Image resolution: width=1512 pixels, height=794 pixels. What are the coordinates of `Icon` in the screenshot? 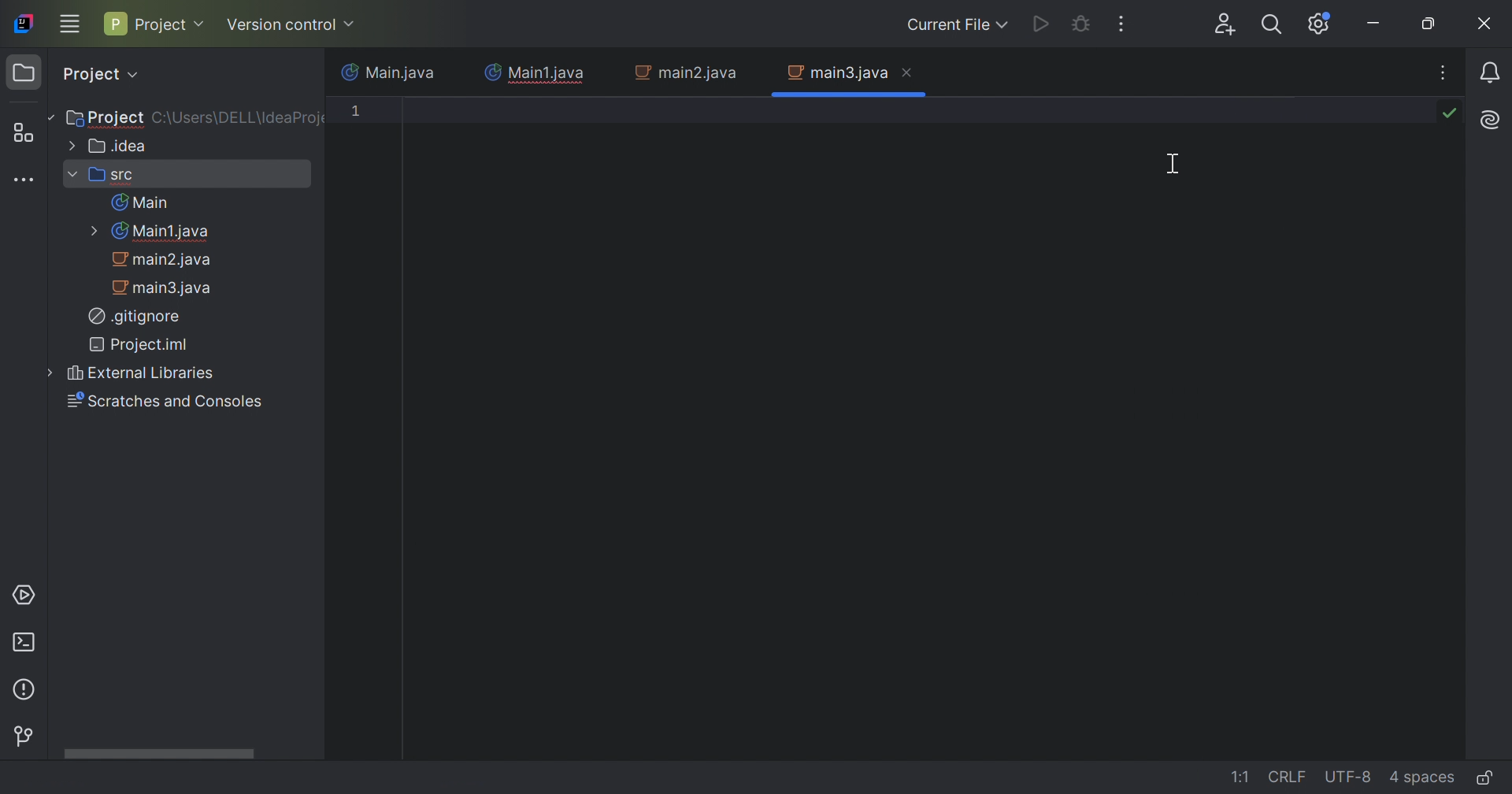 It's located at (1453, 112).